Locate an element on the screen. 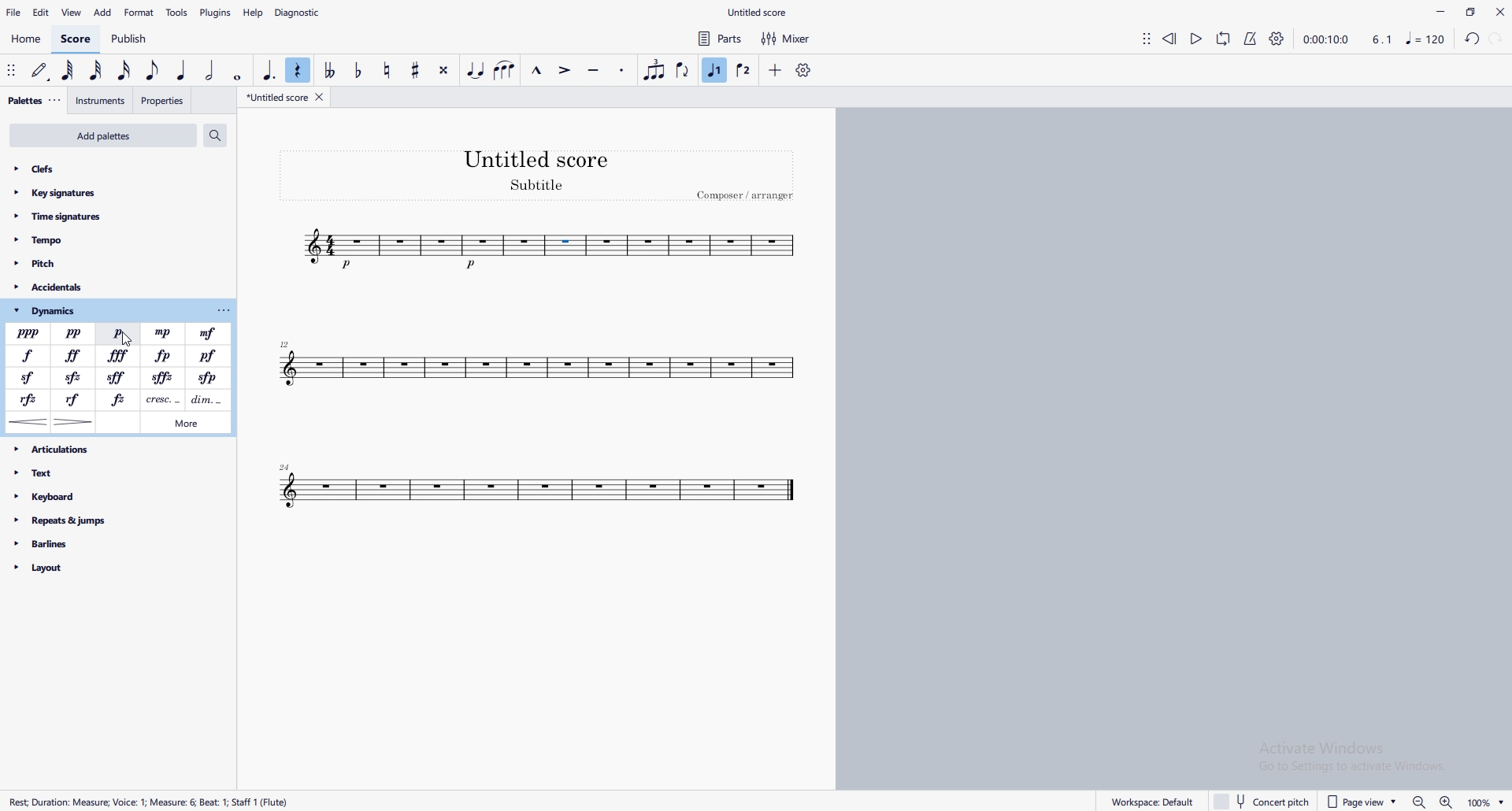 The image size is (1512, 811). 32nd note is located at coordinates (98, 72).